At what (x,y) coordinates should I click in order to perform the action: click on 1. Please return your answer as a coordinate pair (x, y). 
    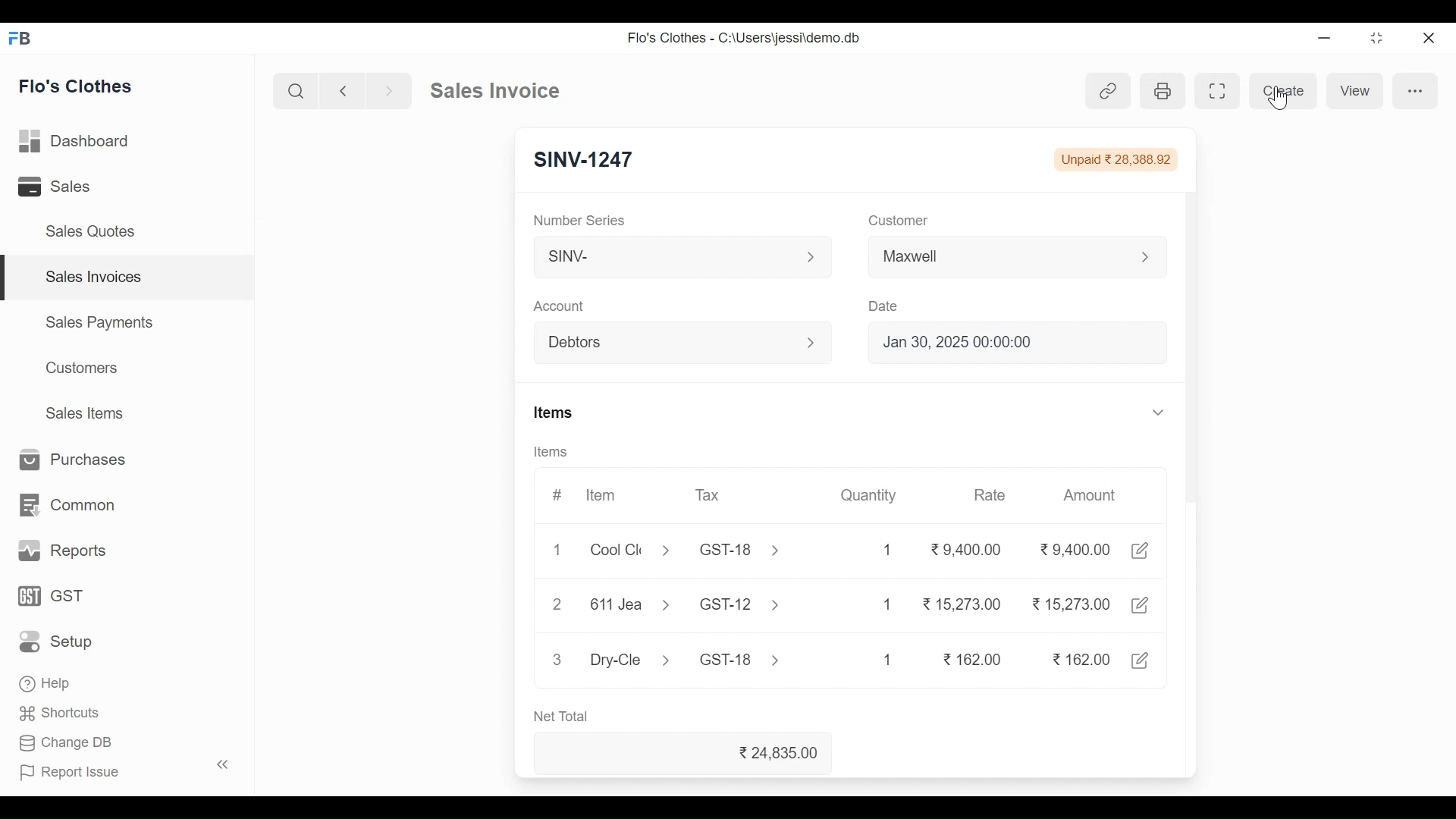
    Looking at the image, I should click on (885, 604).